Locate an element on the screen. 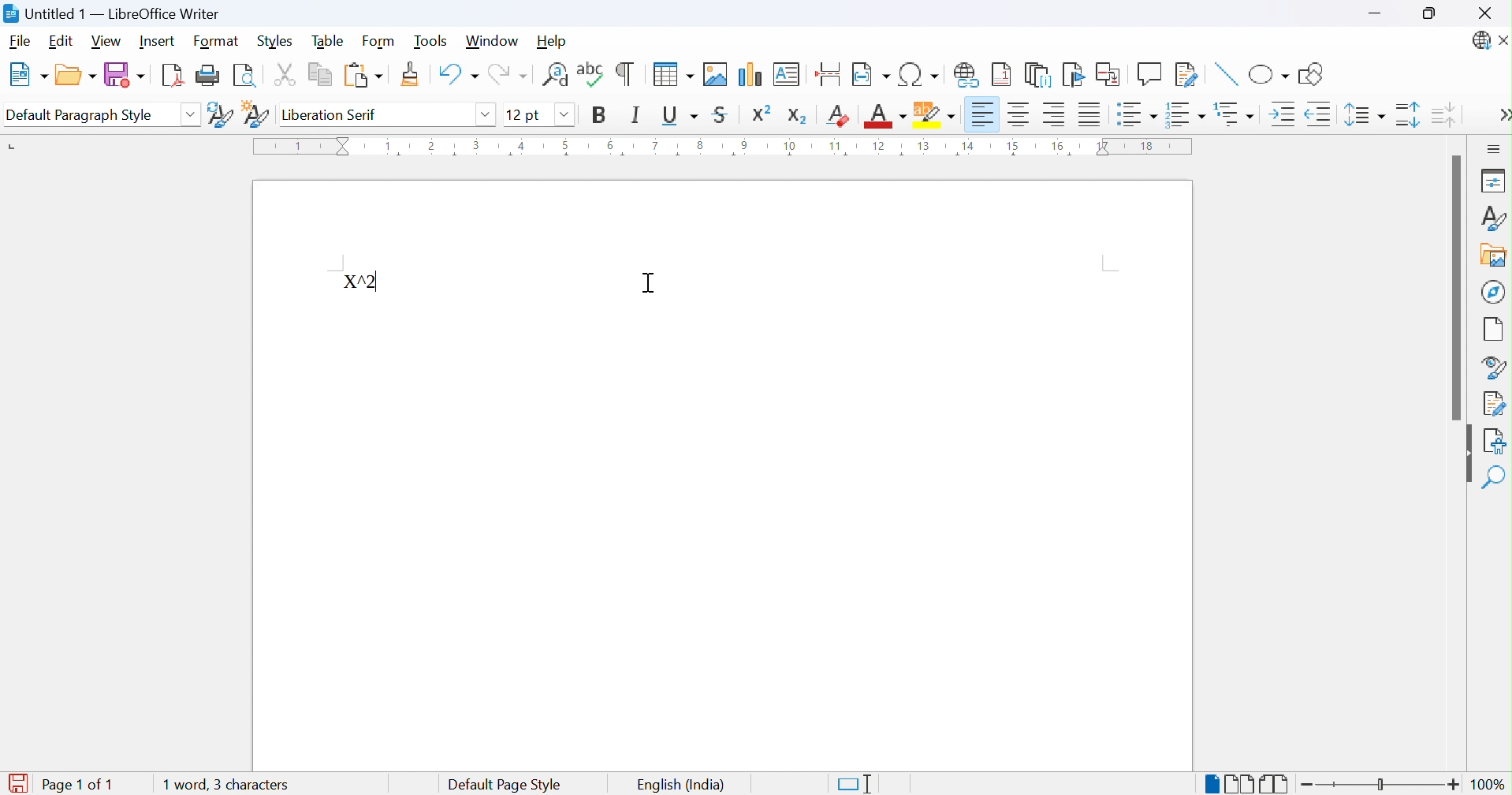  Import as PDF is located at coordinates (175, 74).